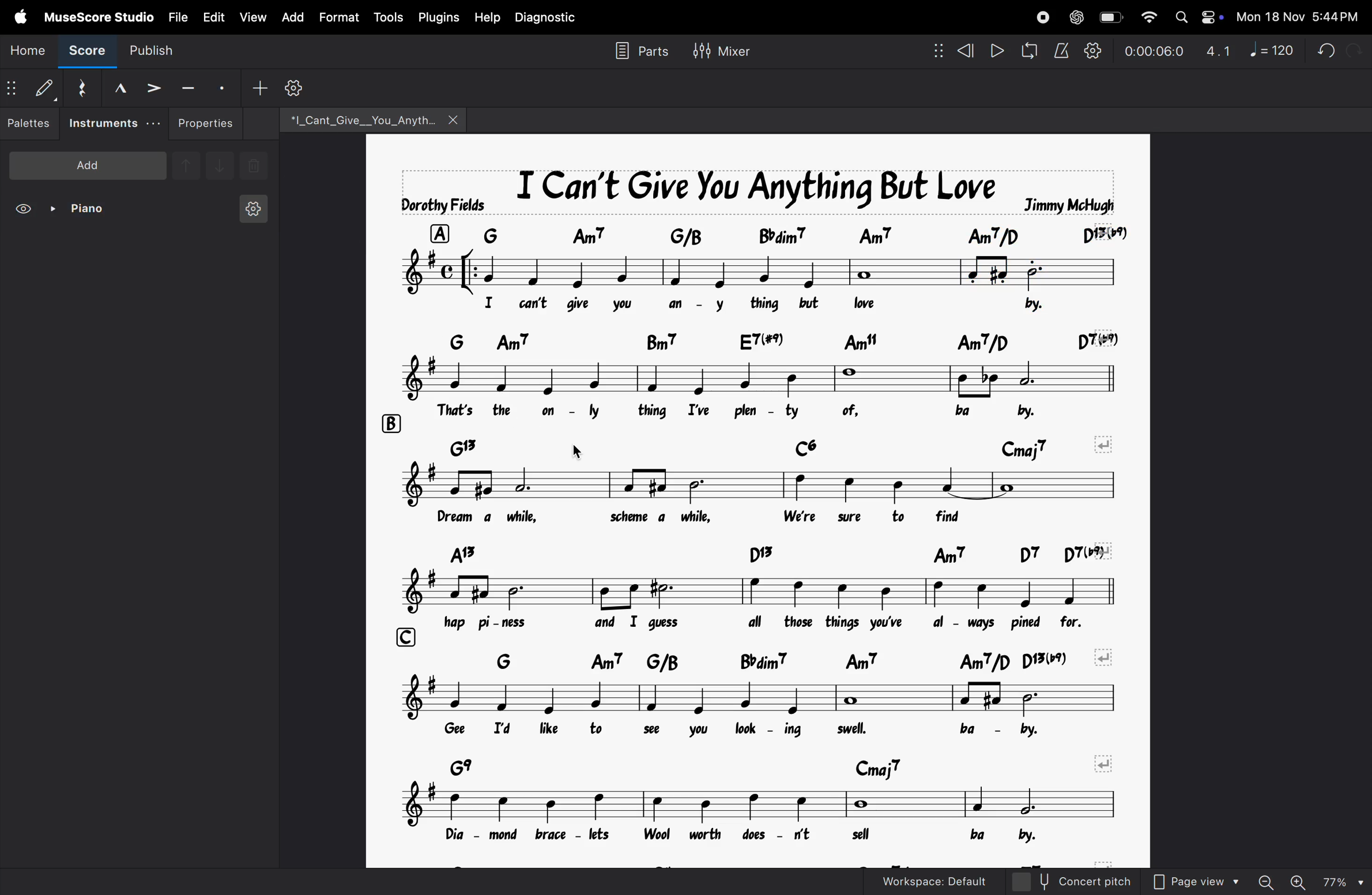  I want to click on loopback, so click(1028, 50).